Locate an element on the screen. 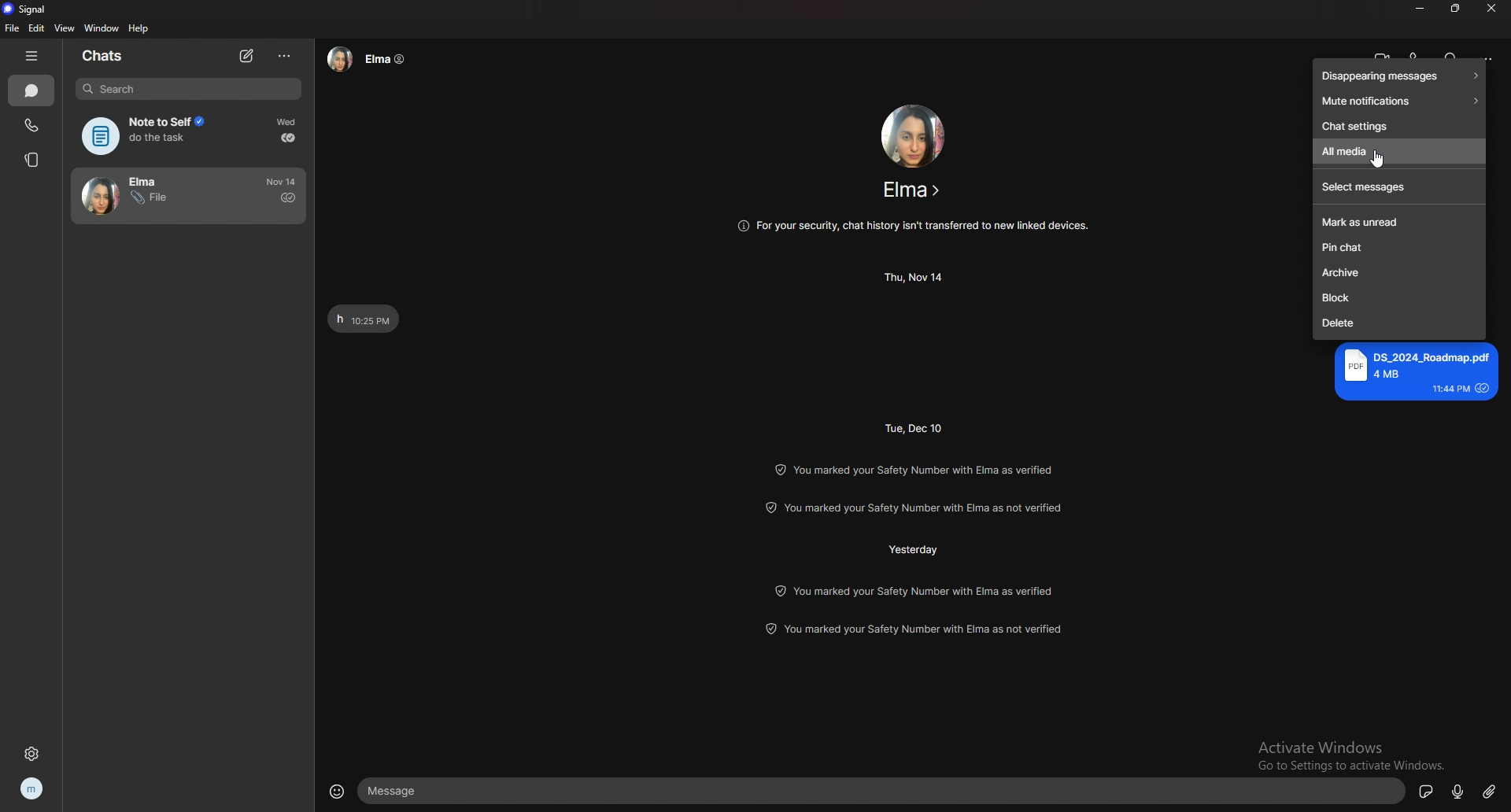 This screenshot has height=812, width=1511. select messages is located at coordinates (1399, 188).